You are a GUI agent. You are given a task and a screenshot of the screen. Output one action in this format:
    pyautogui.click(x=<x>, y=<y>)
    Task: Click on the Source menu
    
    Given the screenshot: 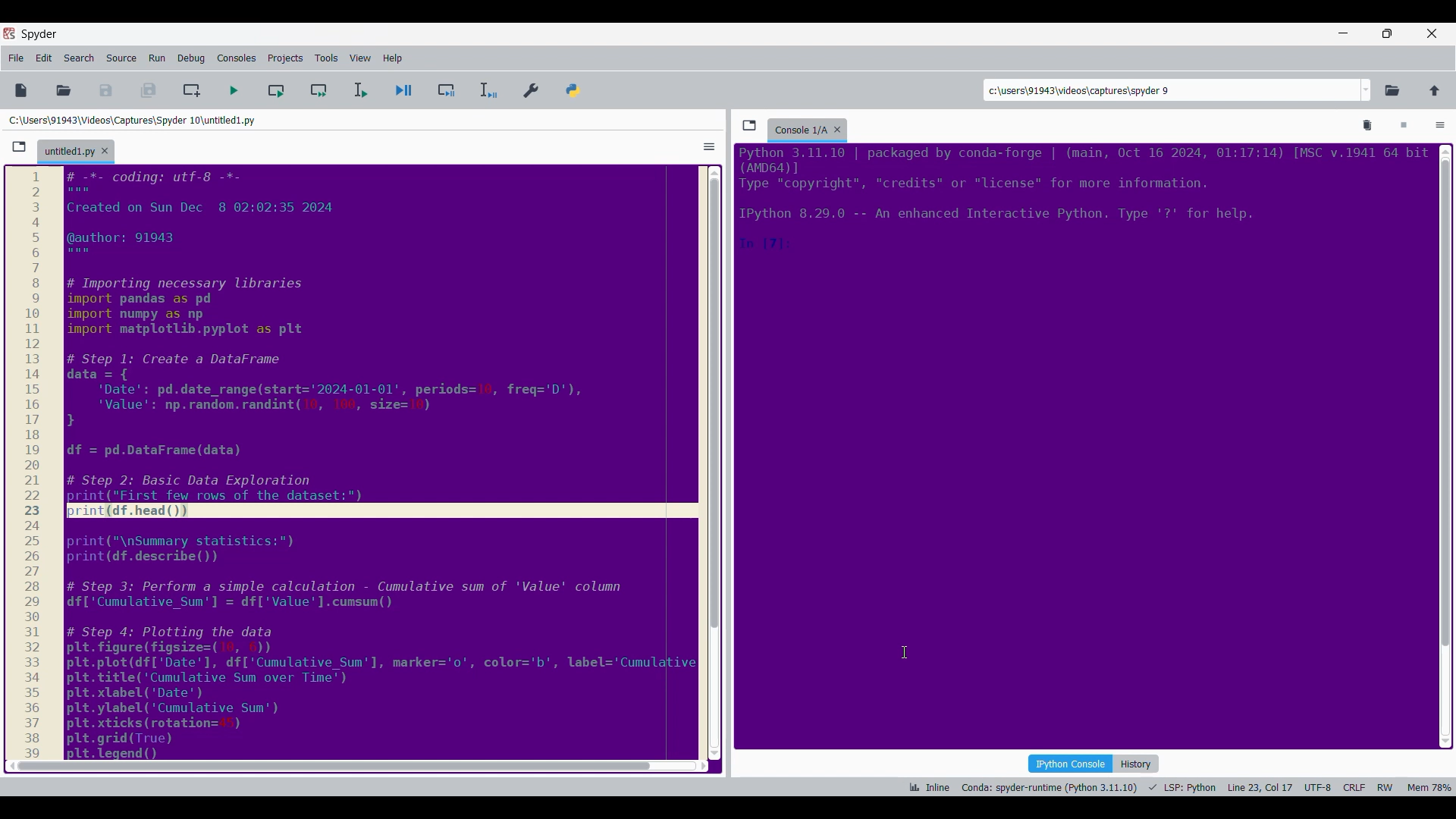 What is the action you would take?
    pyautogui.click(x=121, y=58)
    